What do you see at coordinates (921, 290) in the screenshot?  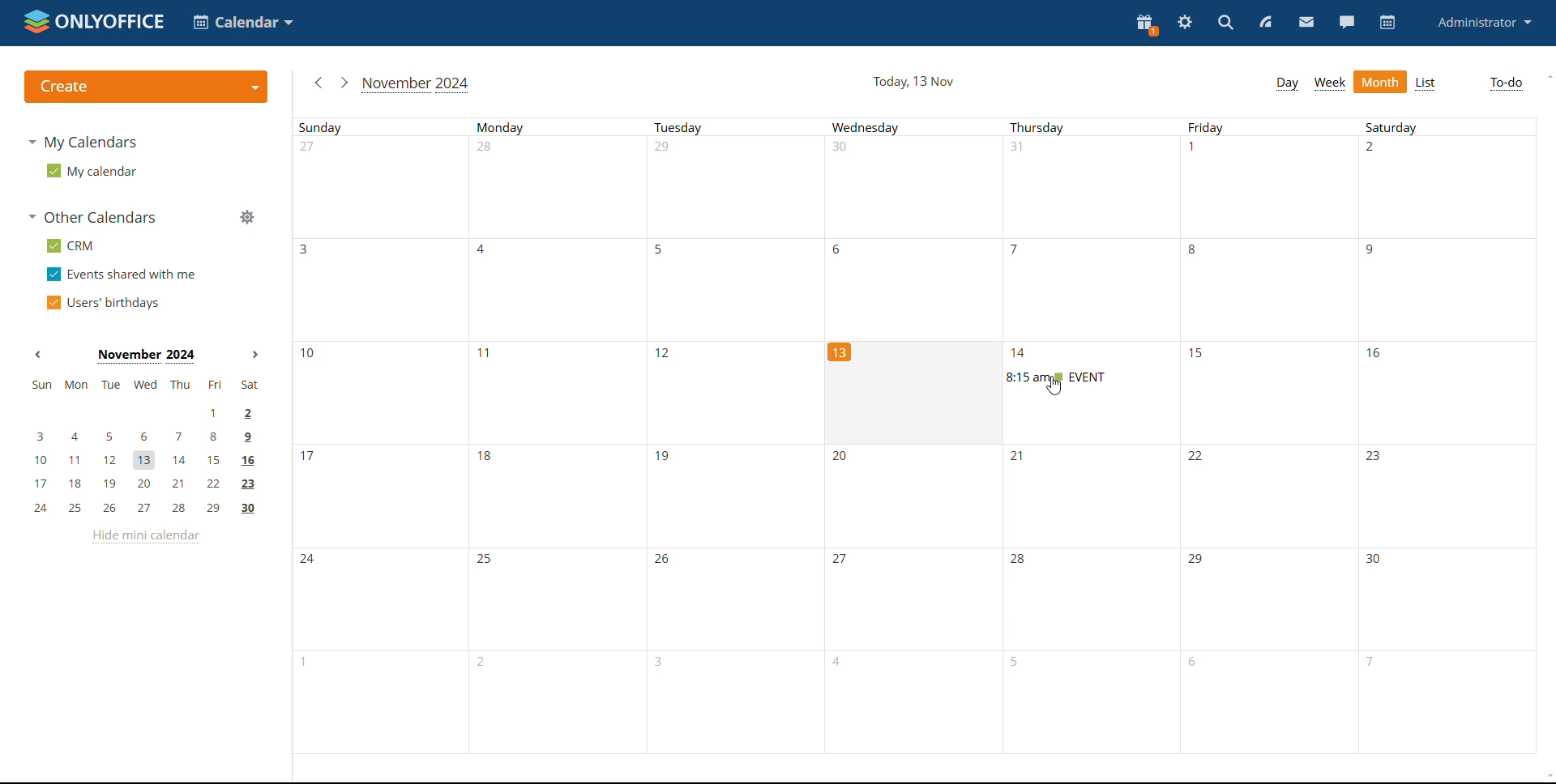 I see `unallocated time slots for 3 november to 9 november` at bounding box center [921, 290].